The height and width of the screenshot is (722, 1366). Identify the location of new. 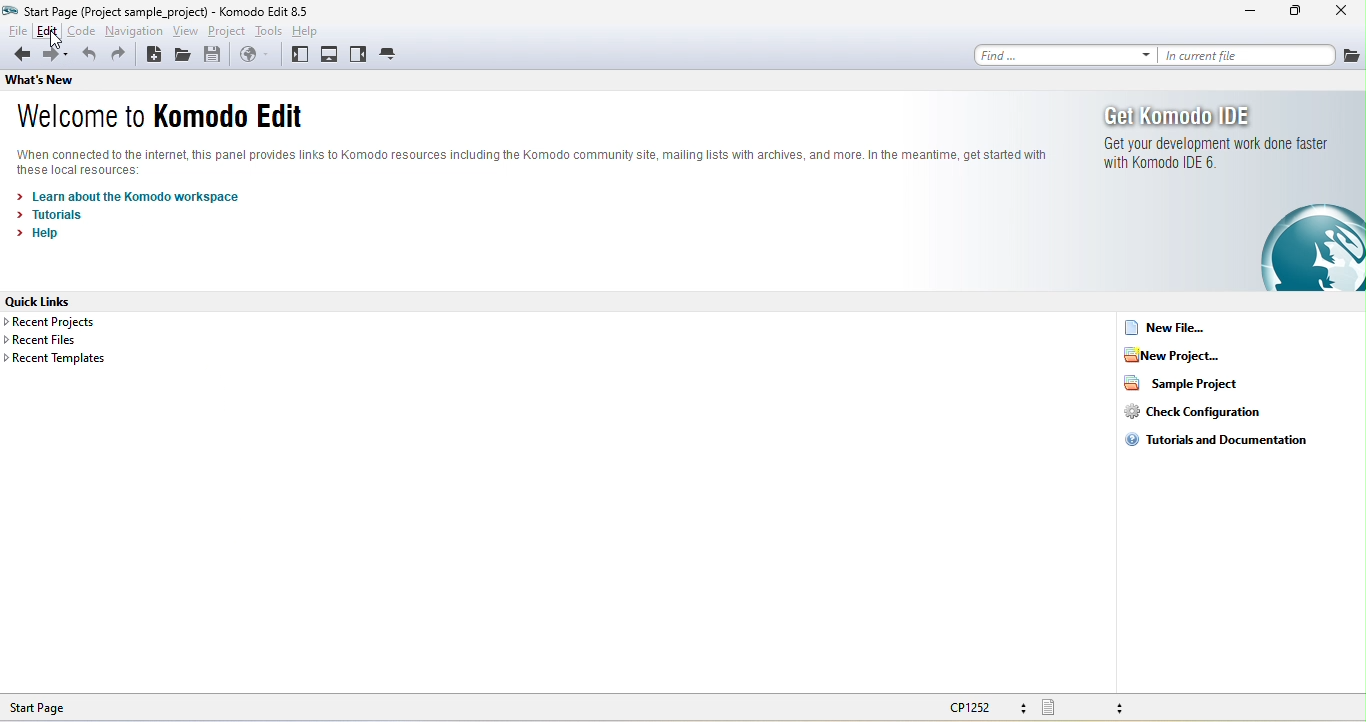
(154, 55).